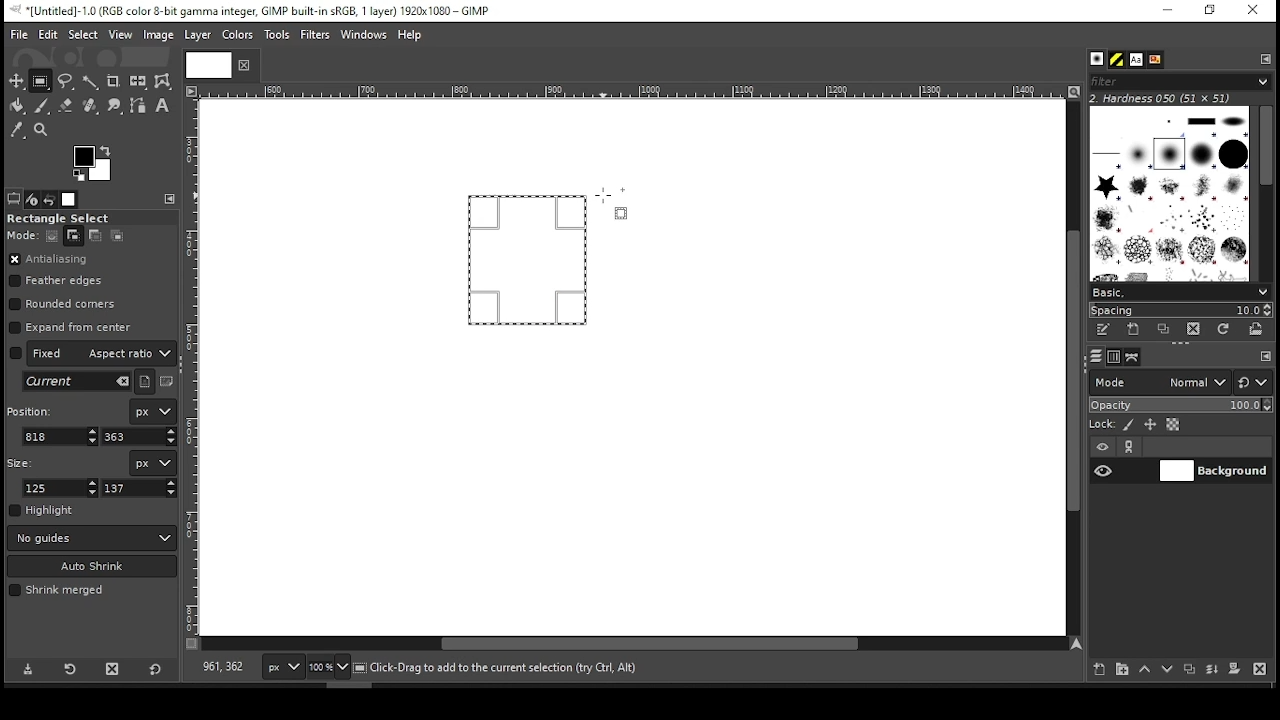 This screenshot has width=1280, height=720. I want to click on unit, so click(154, 412).